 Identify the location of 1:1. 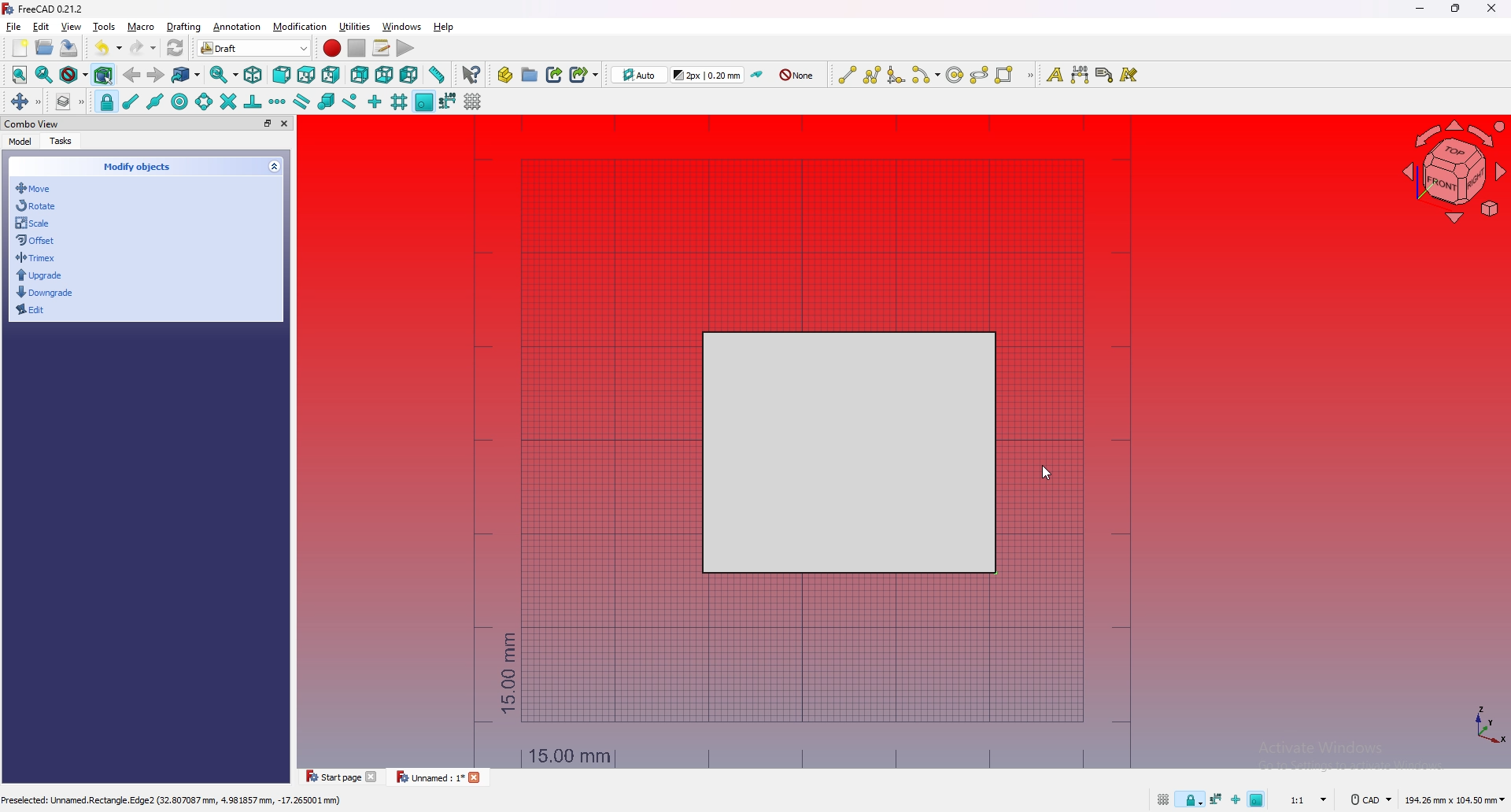
(1310, 799).